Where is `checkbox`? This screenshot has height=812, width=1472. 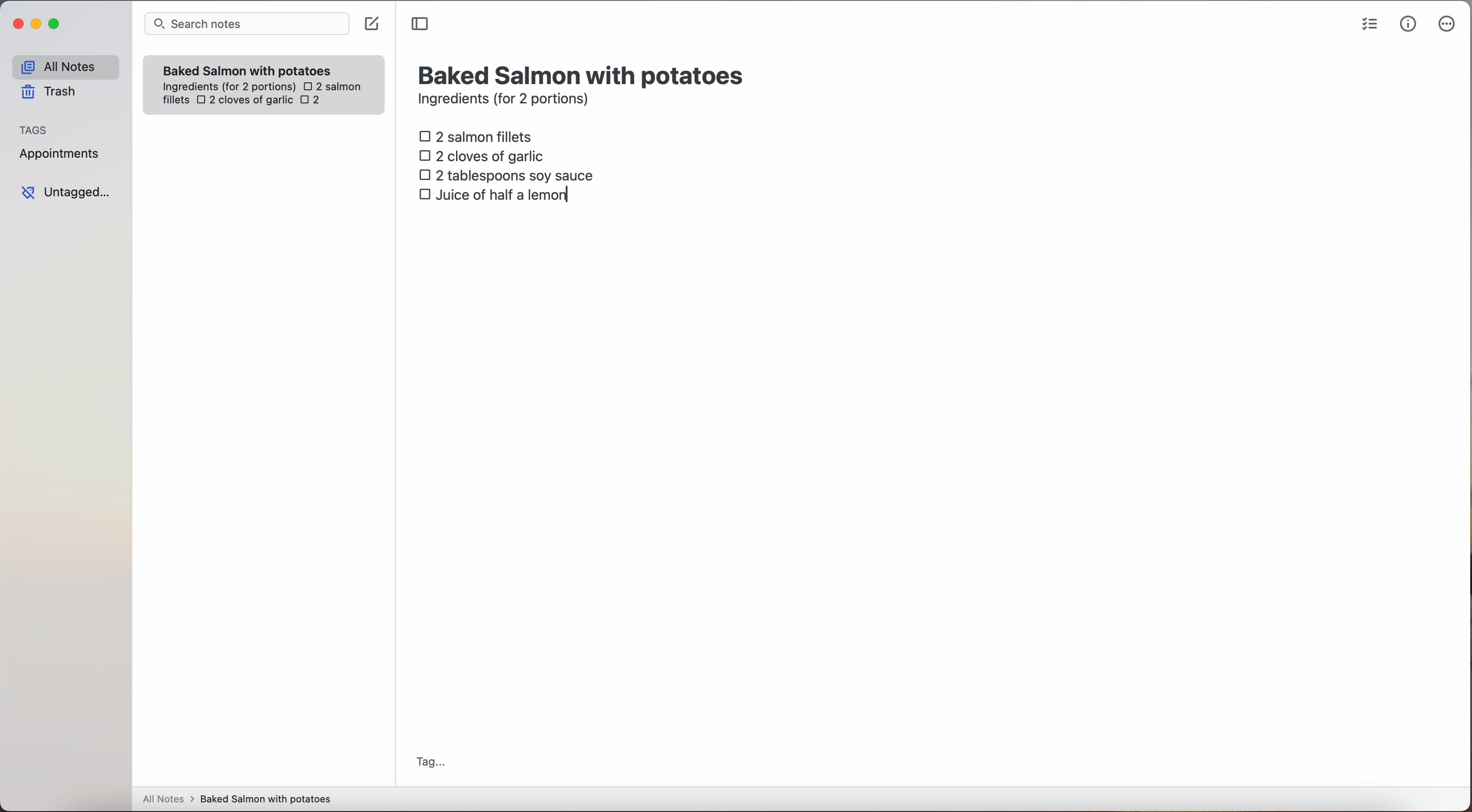 checkbox is located at coordinates (423, 195).